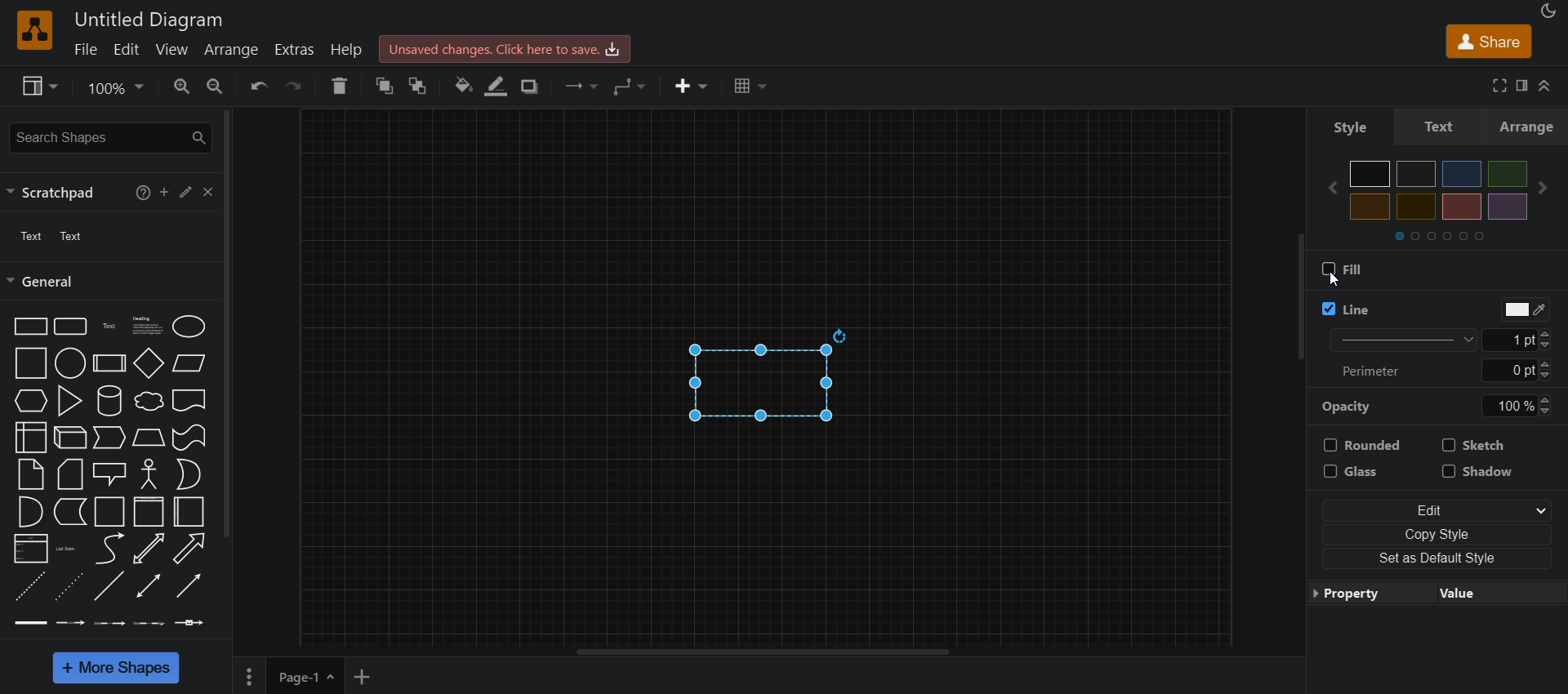 This screenshot has height=694, width=1568. What do you see at coordinates (1508, 174) in the screenshot?
I see `green` at bounding box center [1508, 174].